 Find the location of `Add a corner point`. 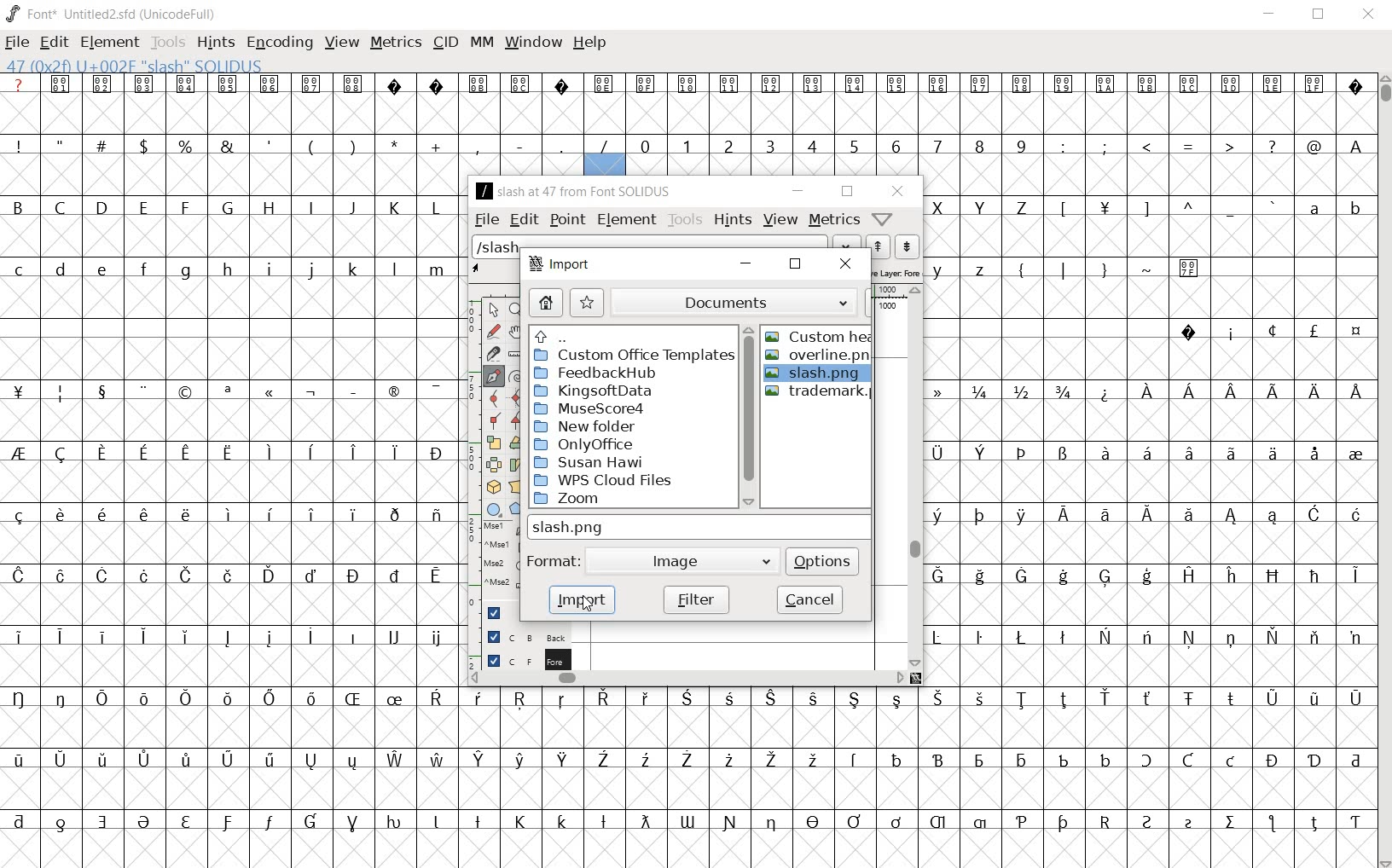

Add a corner point is located at coordinates (491, 420).